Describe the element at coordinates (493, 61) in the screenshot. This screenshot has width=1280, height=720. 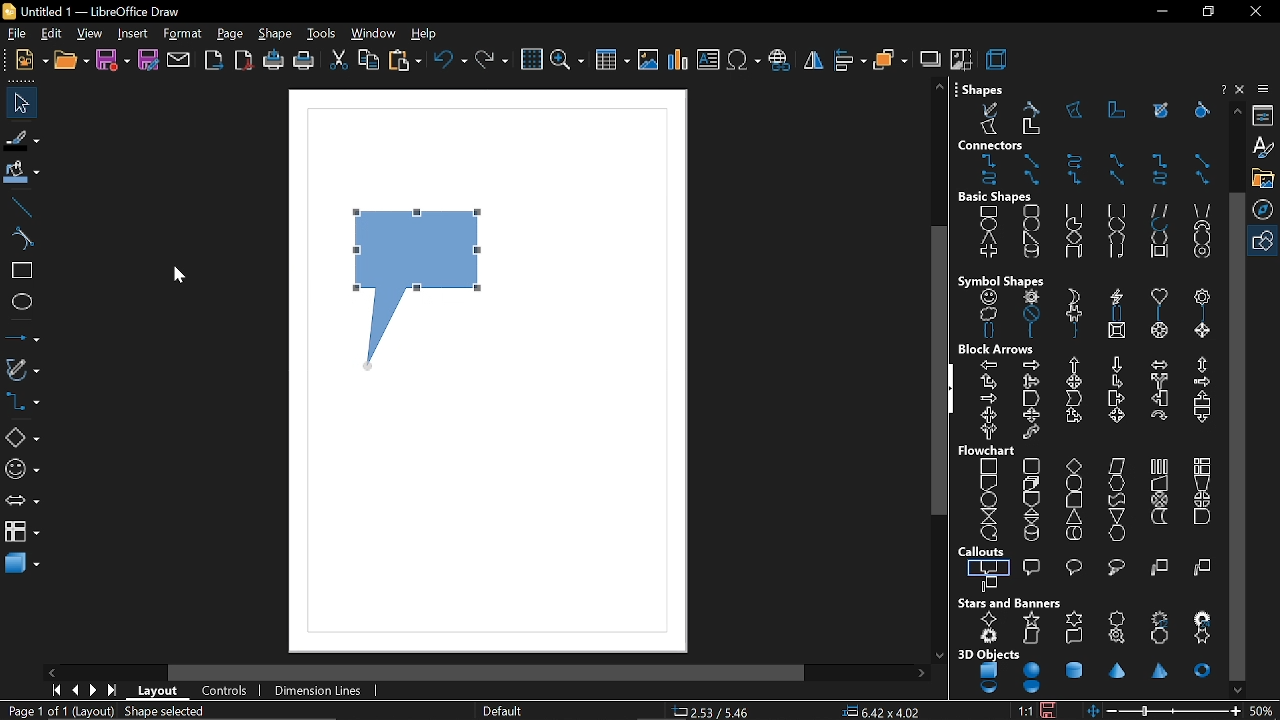
I see `redo` at that location.